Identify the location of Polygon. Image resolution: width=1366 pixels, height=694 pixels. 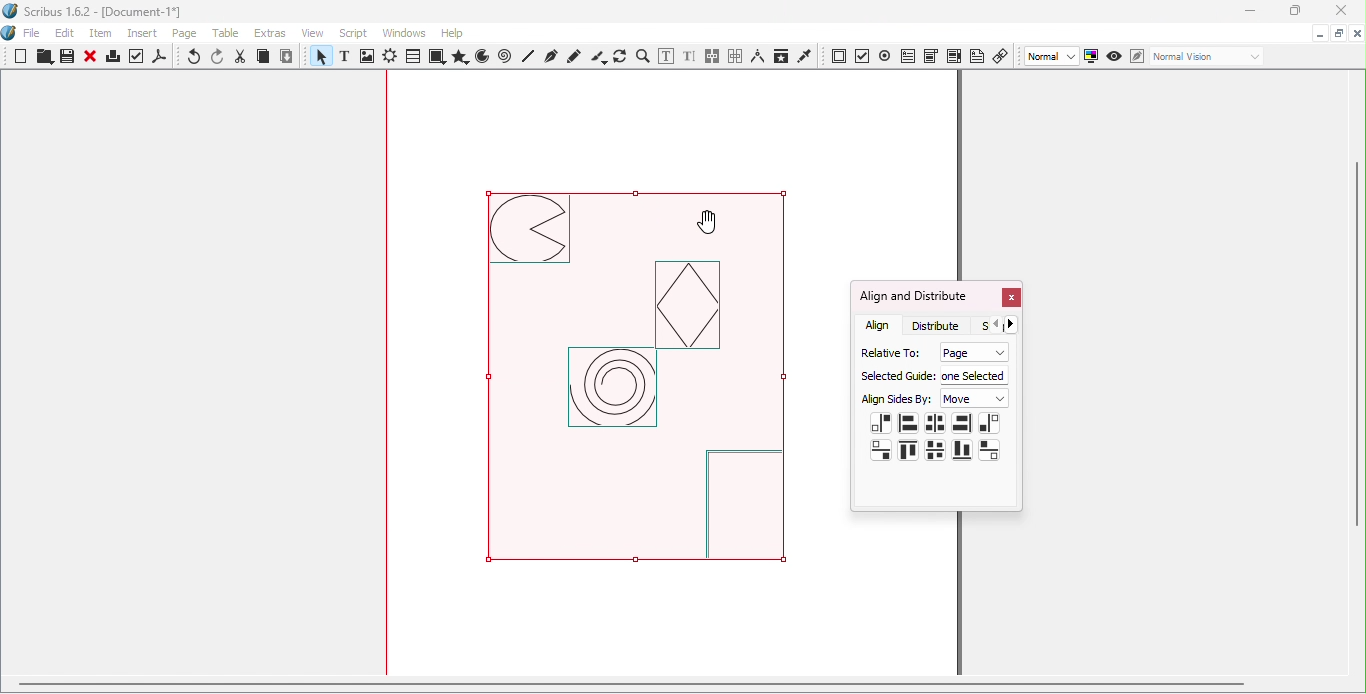
(458, 57).